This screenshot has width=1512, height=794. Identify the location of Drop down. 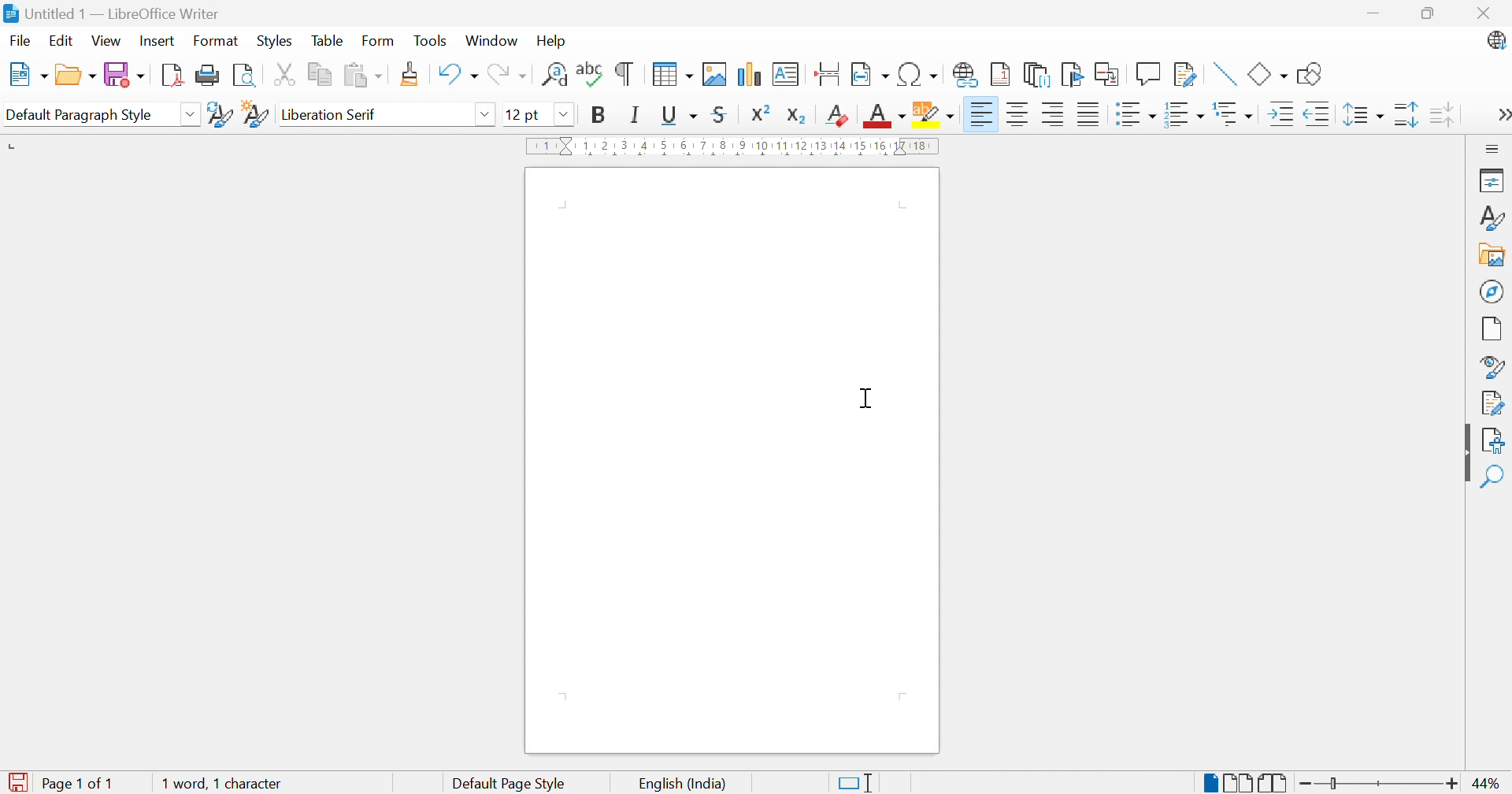
(487, 113).